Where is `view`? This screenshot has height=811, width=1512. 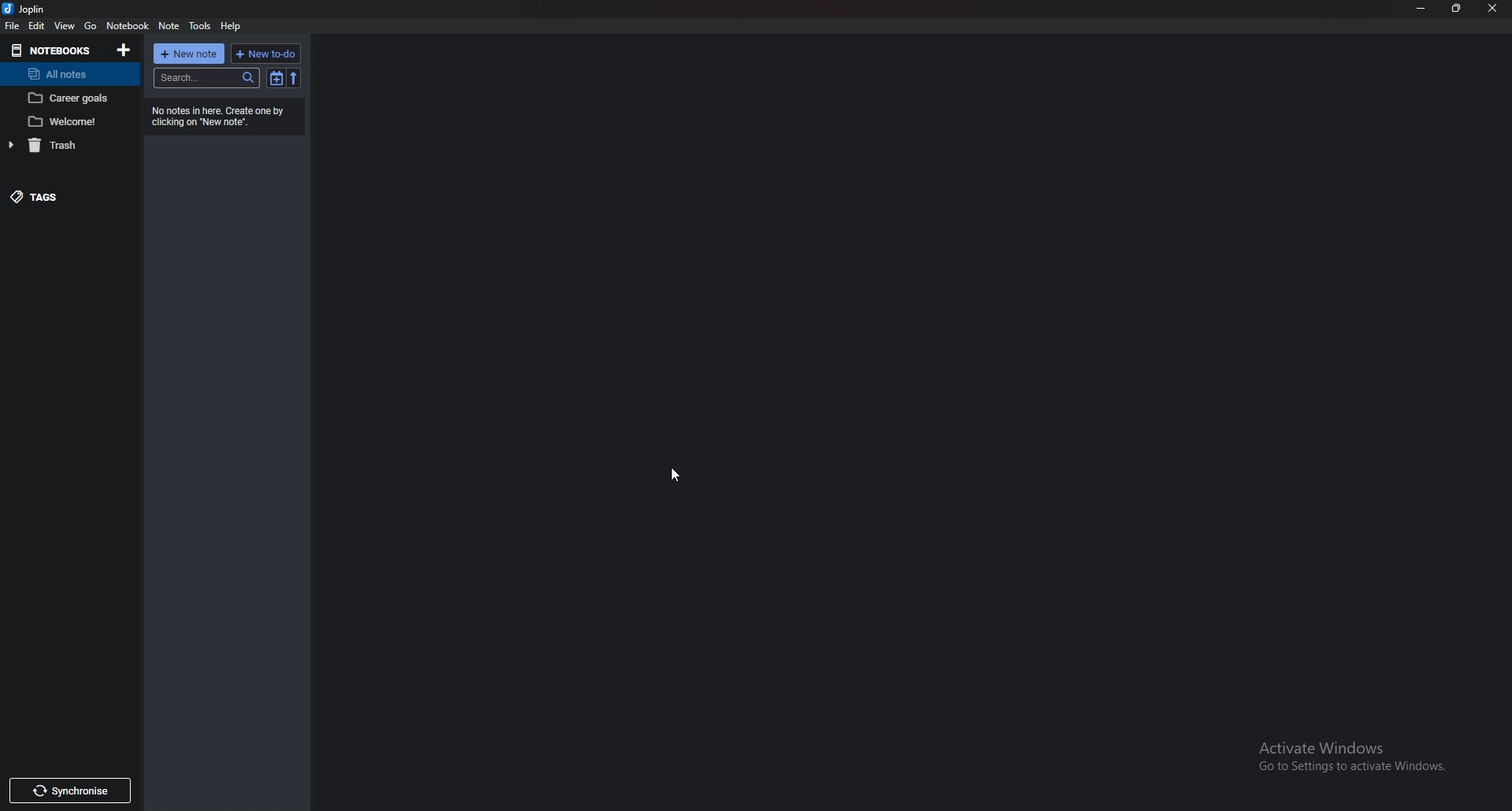 view is located at coordinates (64, 27).